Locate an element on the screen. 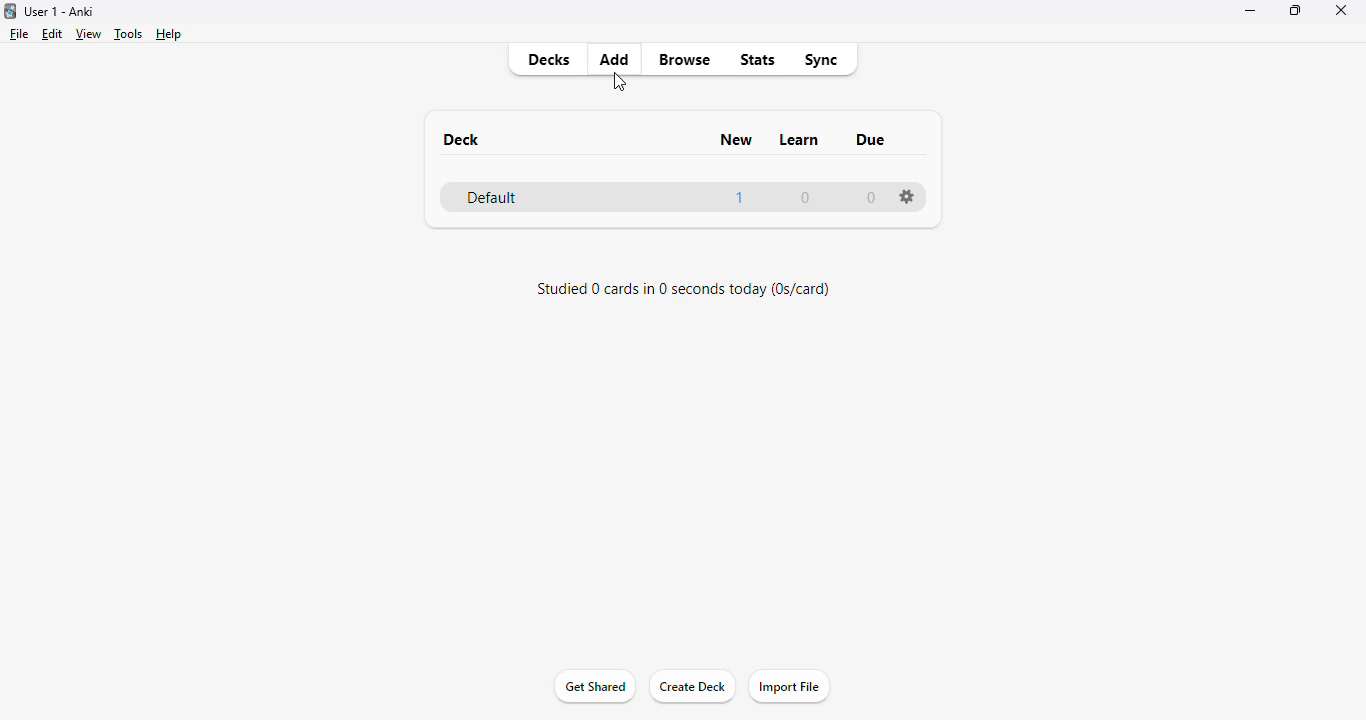 The width and height of the screenshot is (1366, 720). due is located at coordinates (870, 140).